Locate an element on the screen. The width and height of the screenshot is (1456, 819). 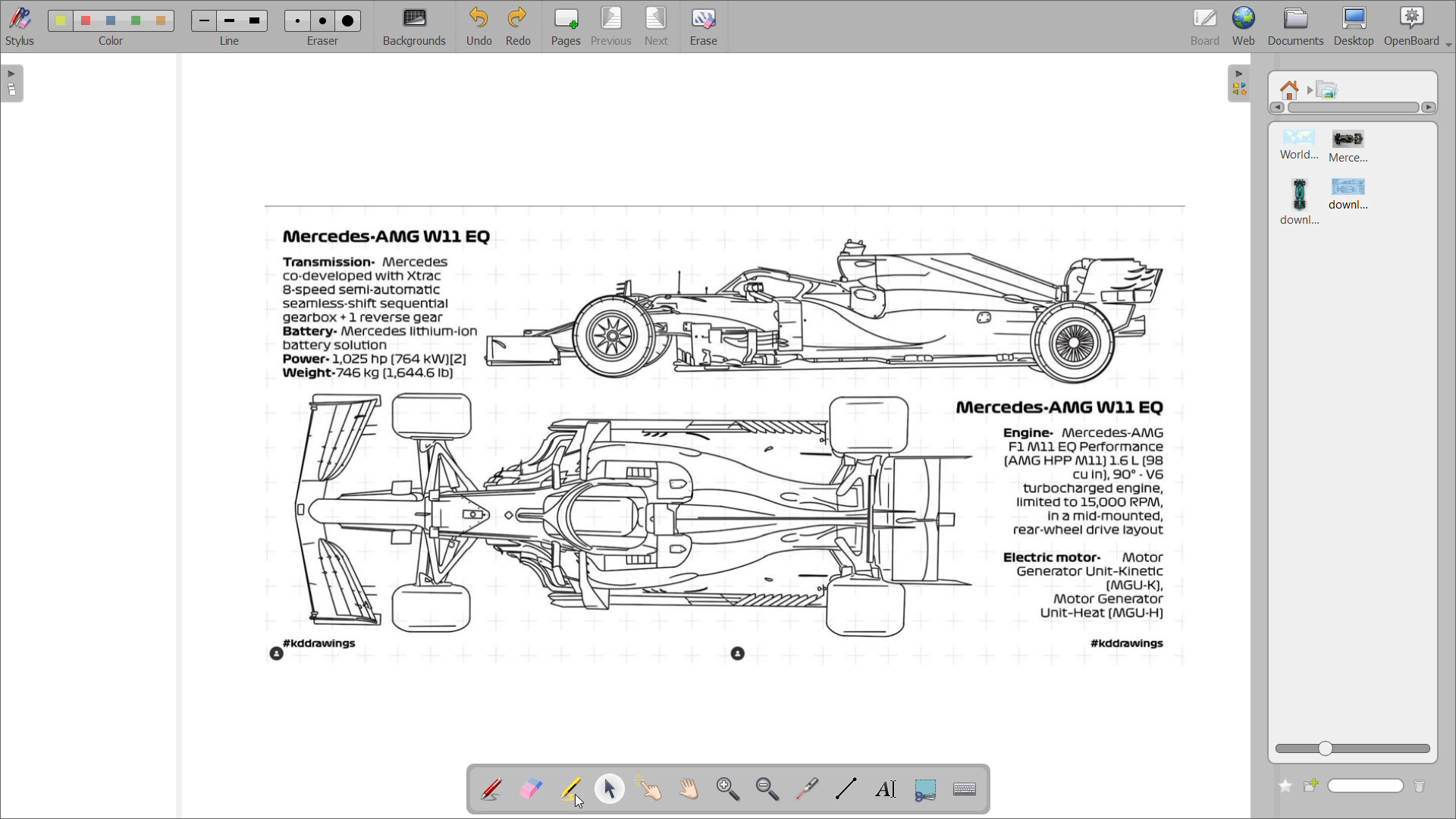
eraser 1 is located at coordinates (298, 20).